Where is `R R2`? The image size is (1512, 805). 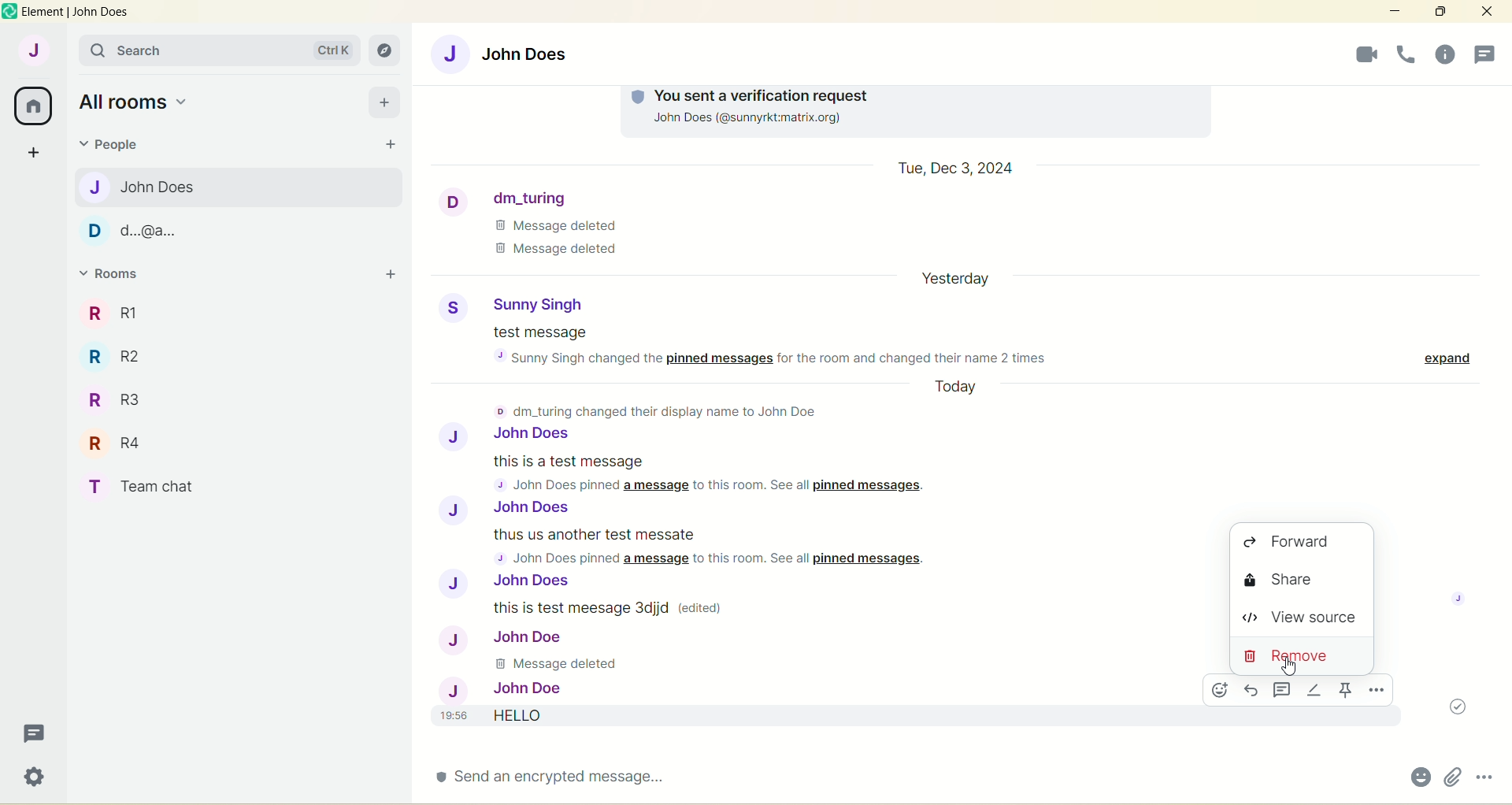 R R2 is located at coordinates (124, 356).